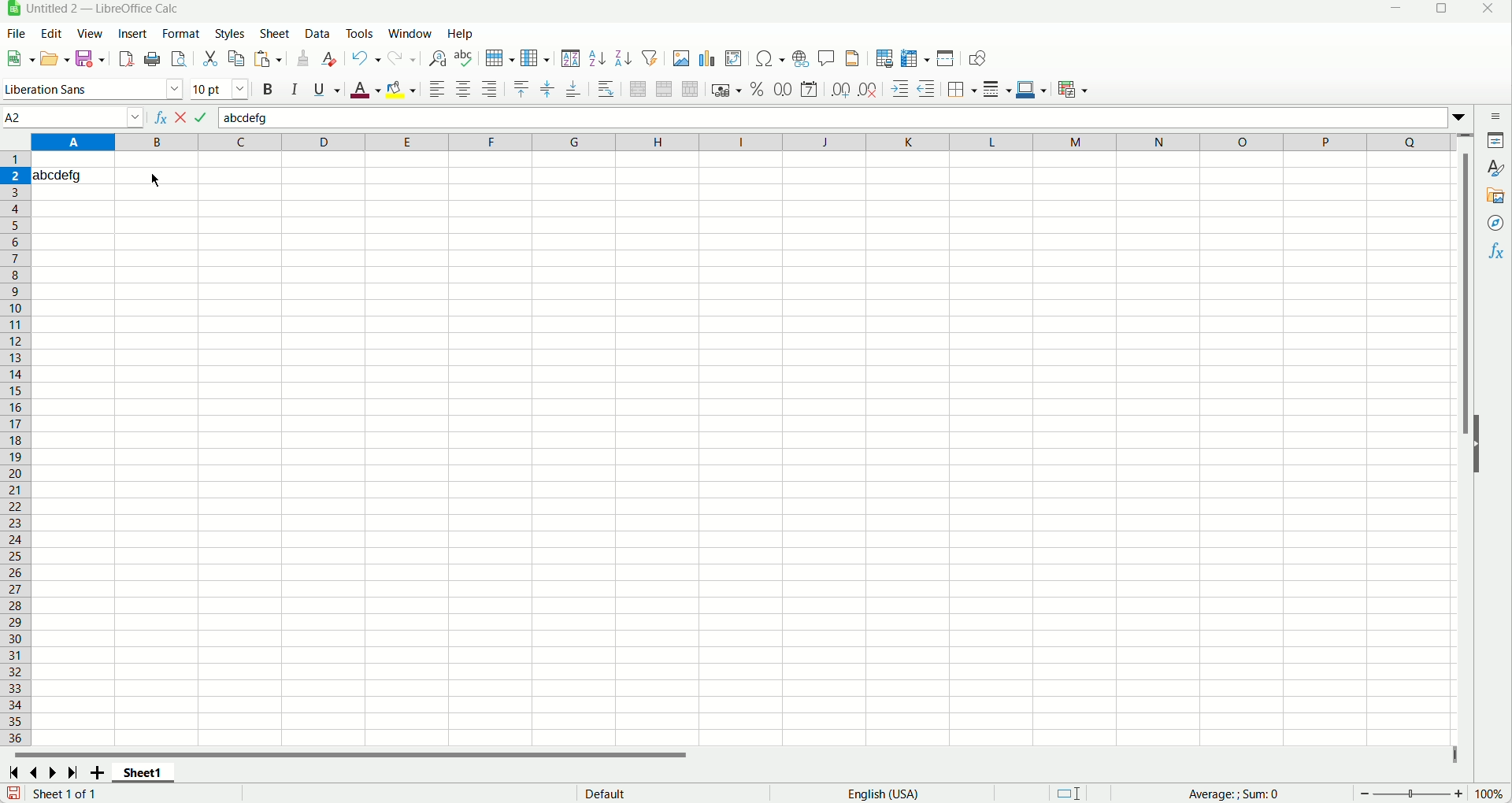  I want to click on sort, so click(572, 59).